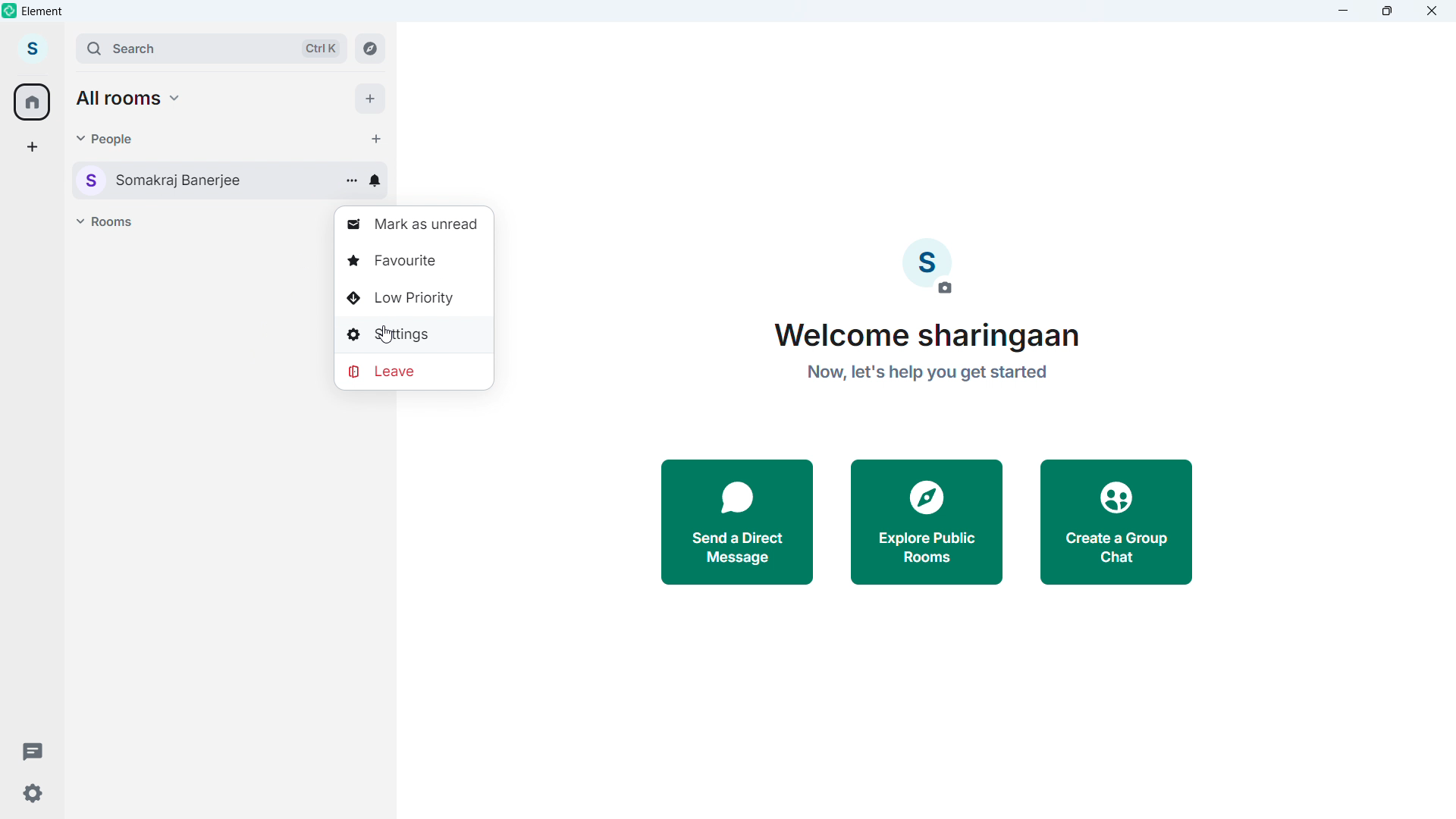 The width and height of the screenshot is (1456, 819). What do you see at coordinates (32, 750) in the screenshot?
I see `Threads ` at bounding box center [32, 750].